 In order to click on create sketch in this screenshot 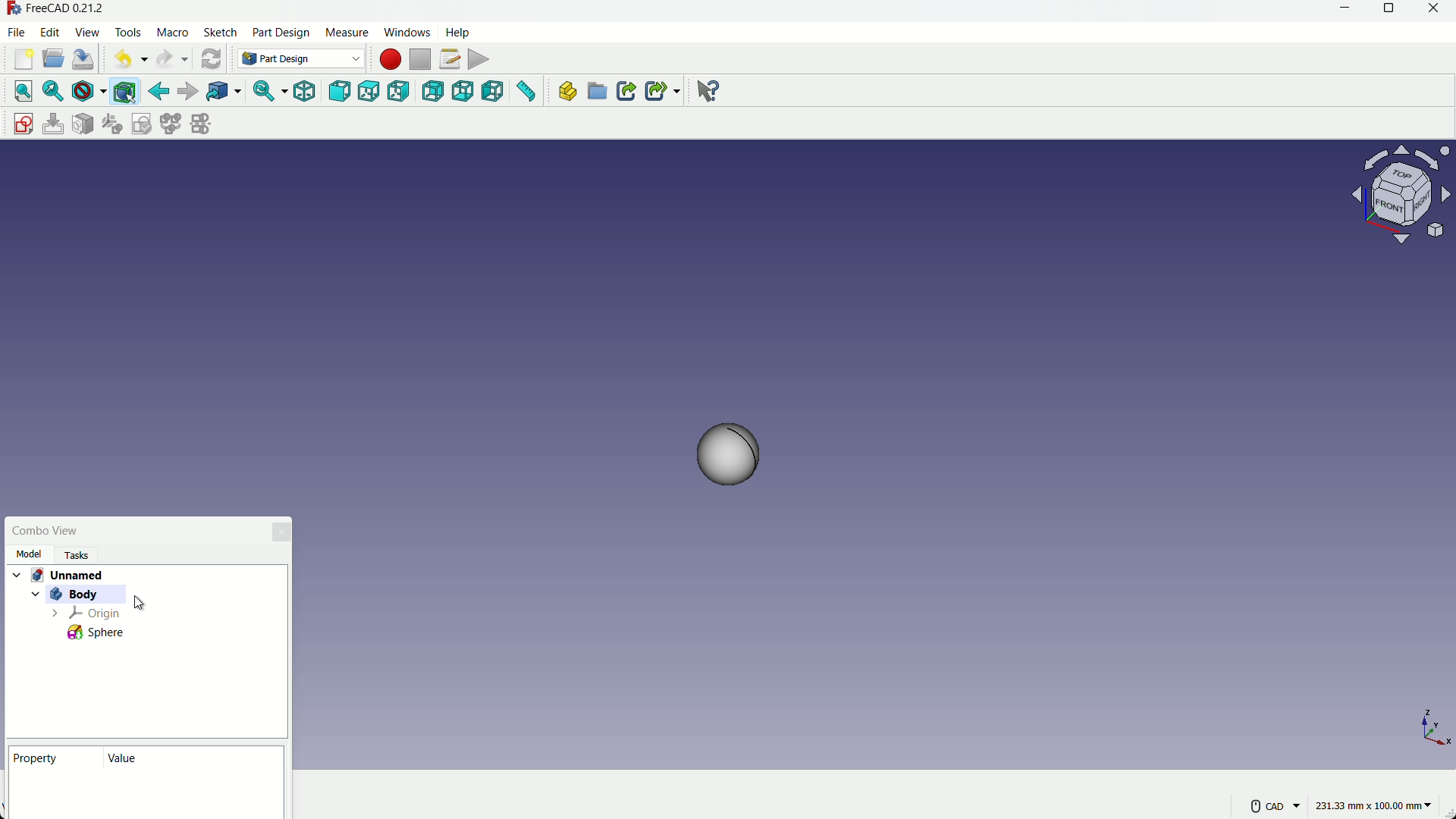, I will do `click(21, 121)`.